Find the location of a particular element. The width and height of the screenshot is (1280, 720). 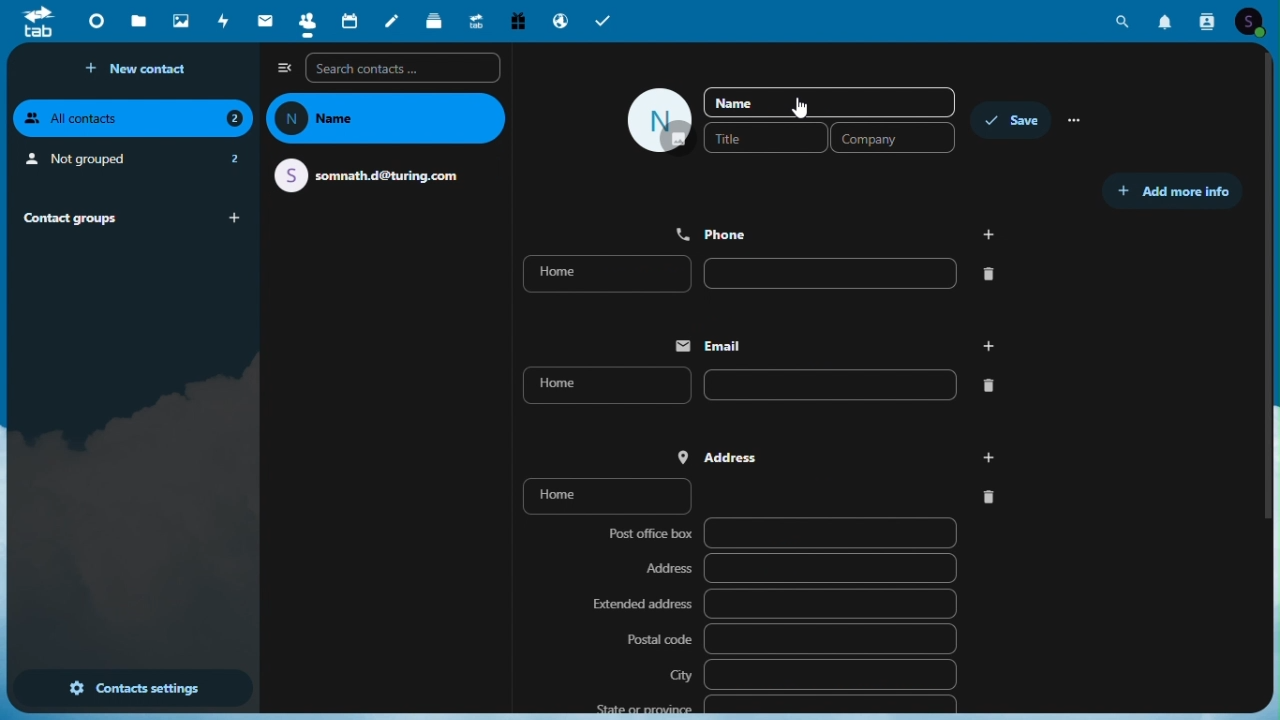

email is located at coordinates (829, 345).